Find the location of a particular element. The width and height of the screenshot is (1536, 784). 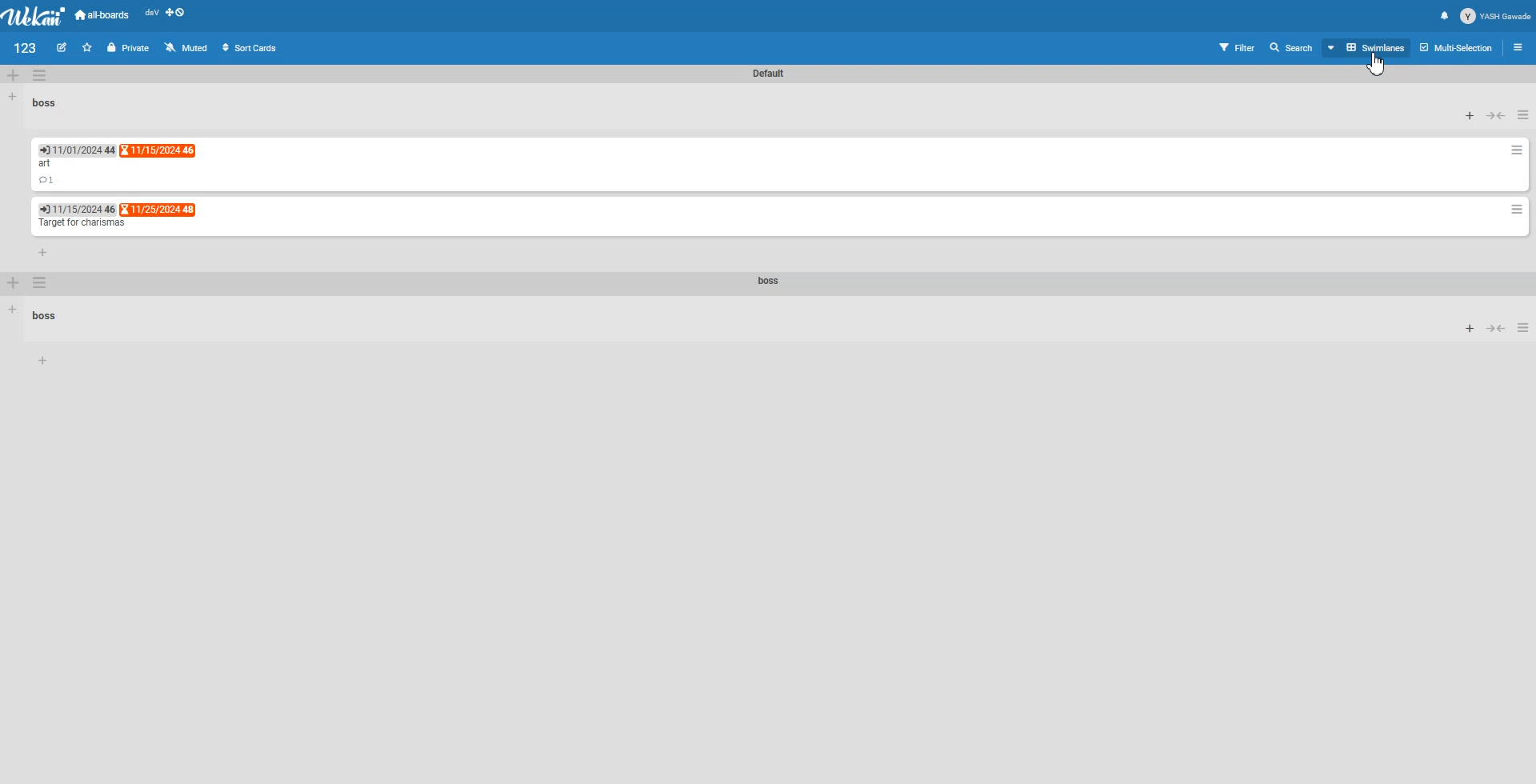

Due Date is located at coordinates (77, 150).